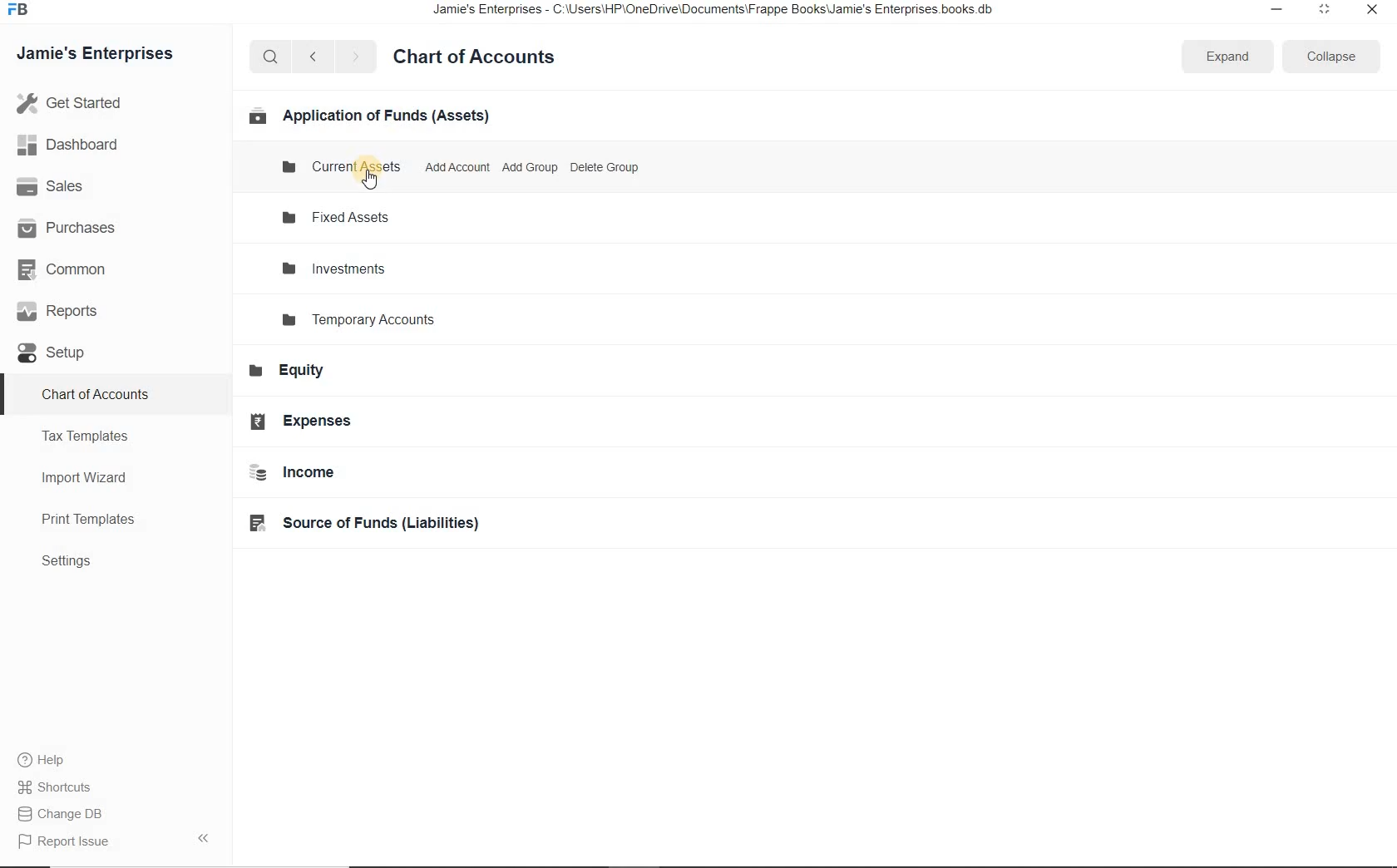 This screenshot has width=1397, height=868. I want to click on Add Account, so click(530, 167).